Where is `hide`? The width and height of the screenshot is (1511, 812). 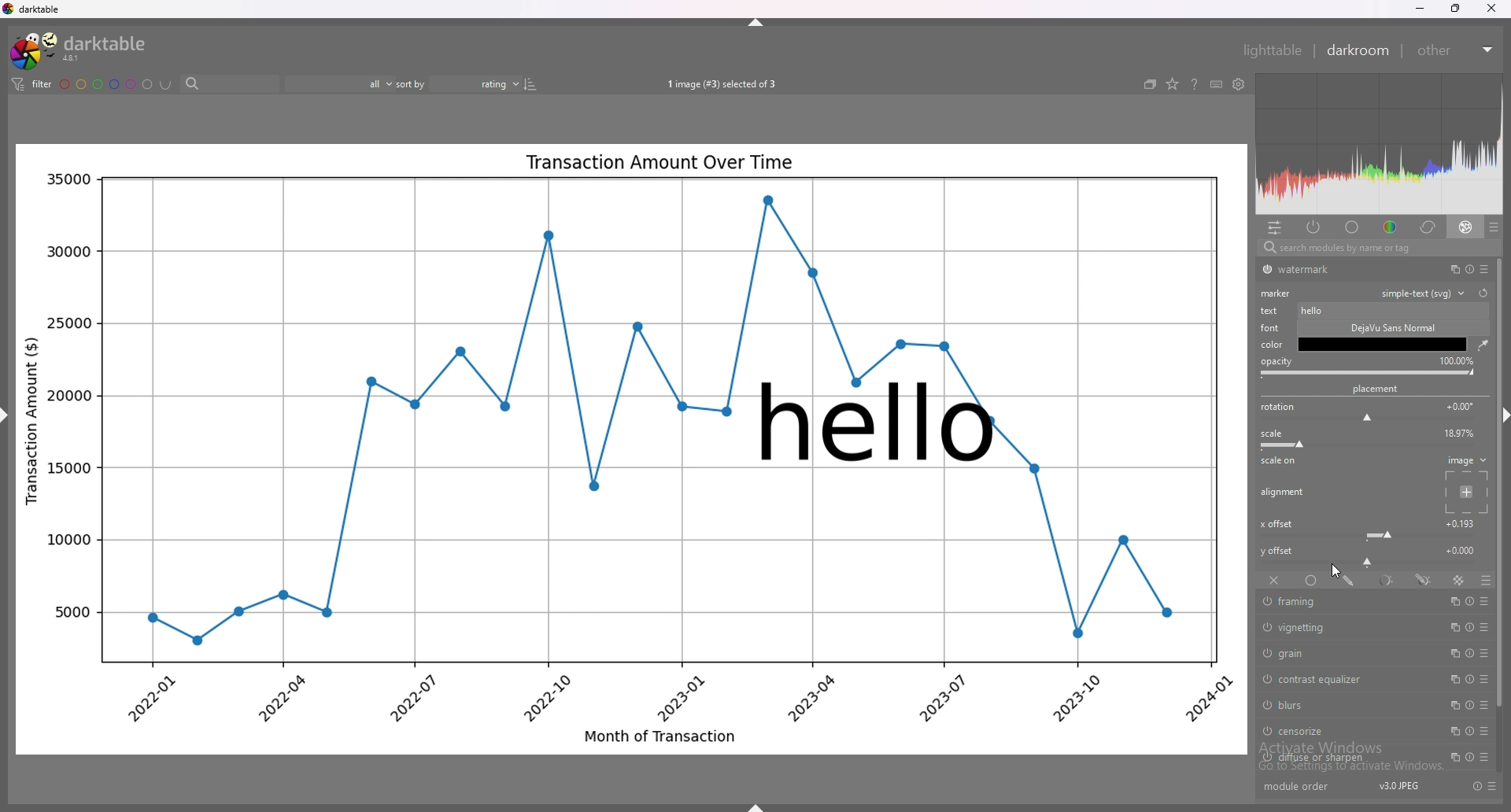
hide is located at coordinates (19, 415).